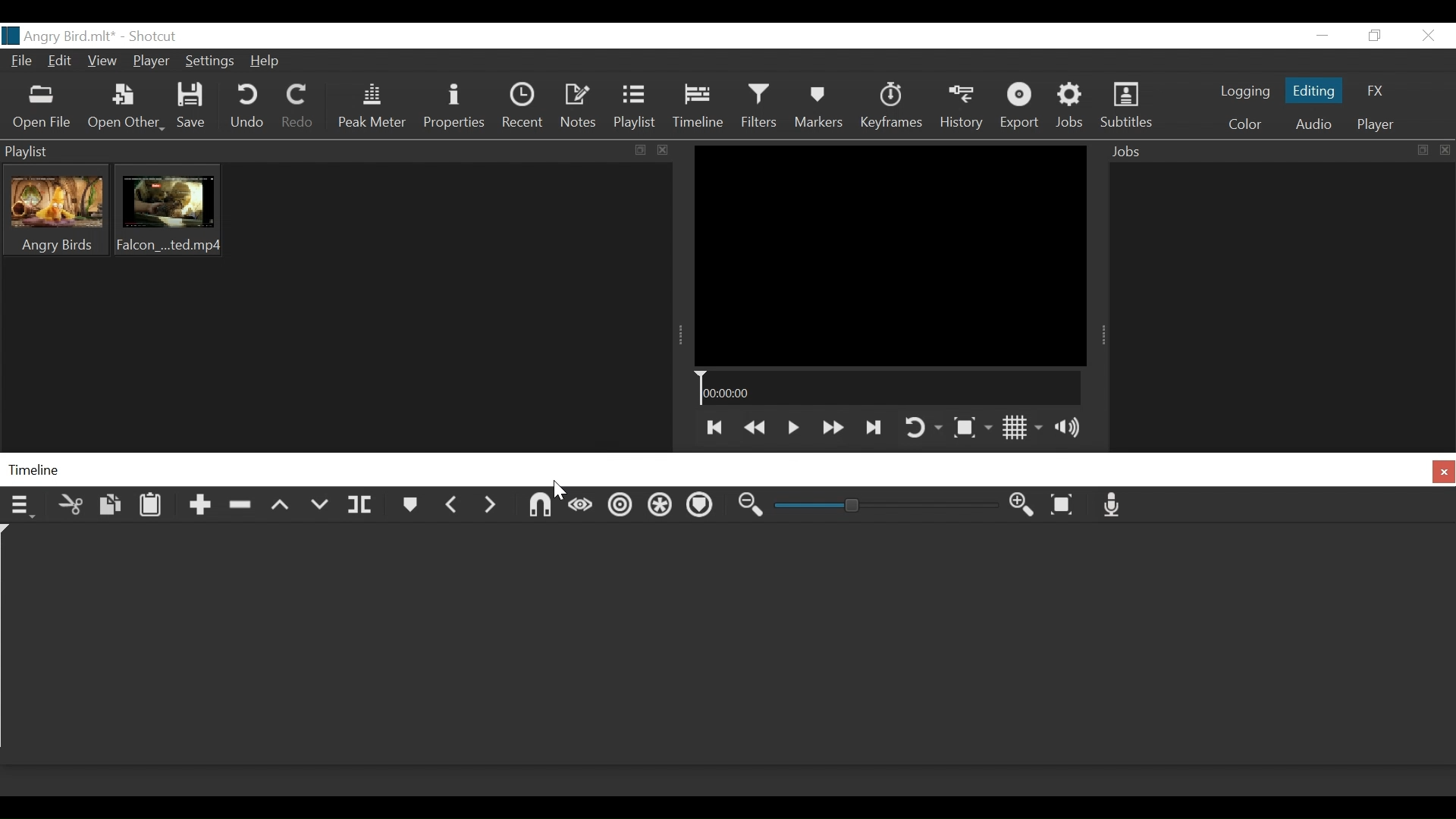 The height and width of the screenshot is (819, 1456). What do you see at coordinates (197, 509) in the screenshot?
I see `Append` at bounding box center [197, 509].